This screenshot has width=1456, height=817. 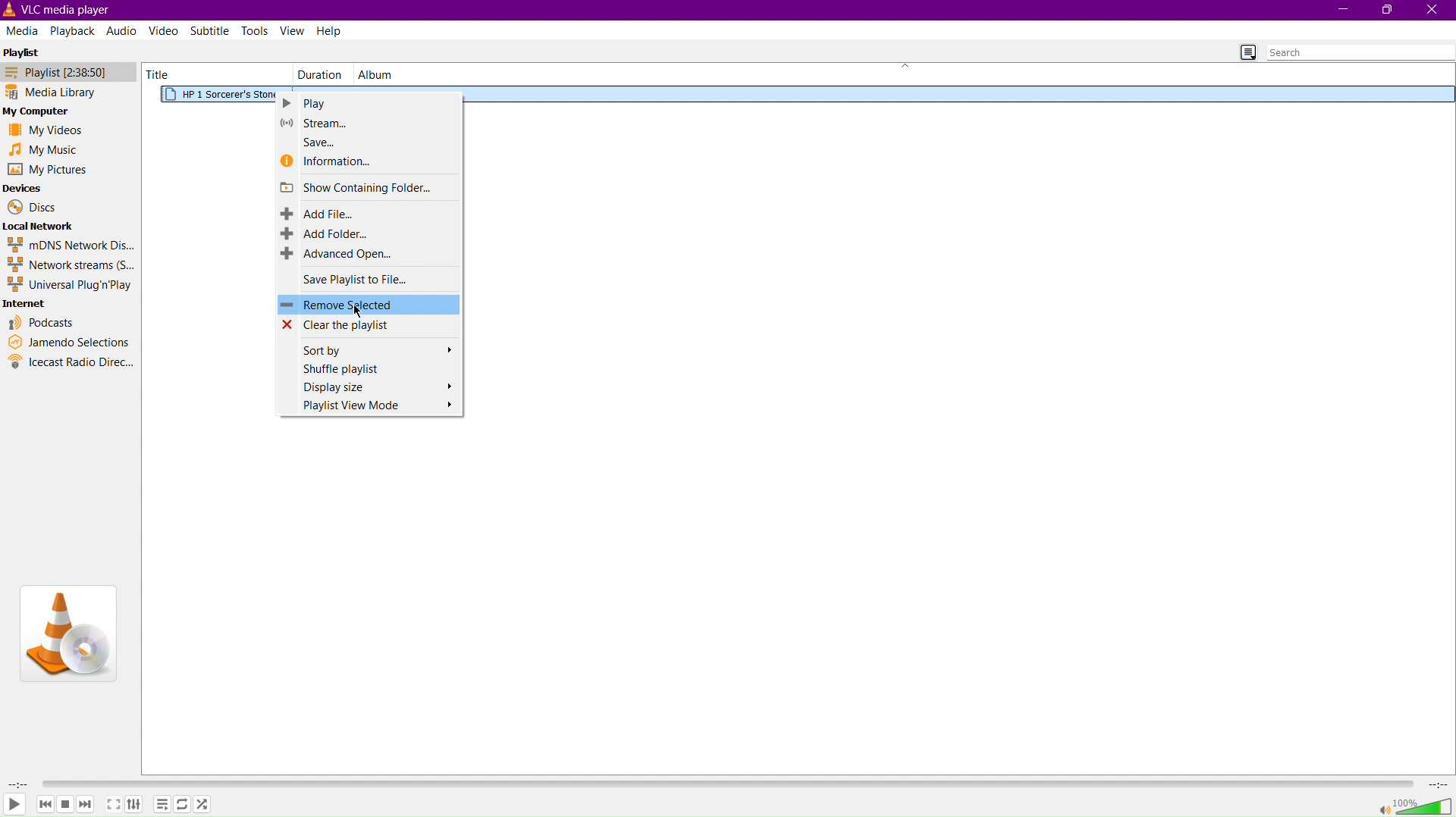 What do you see at coordinates (331, 30) in the screenshot?
I see `Help` at bounding box center [331, 30].